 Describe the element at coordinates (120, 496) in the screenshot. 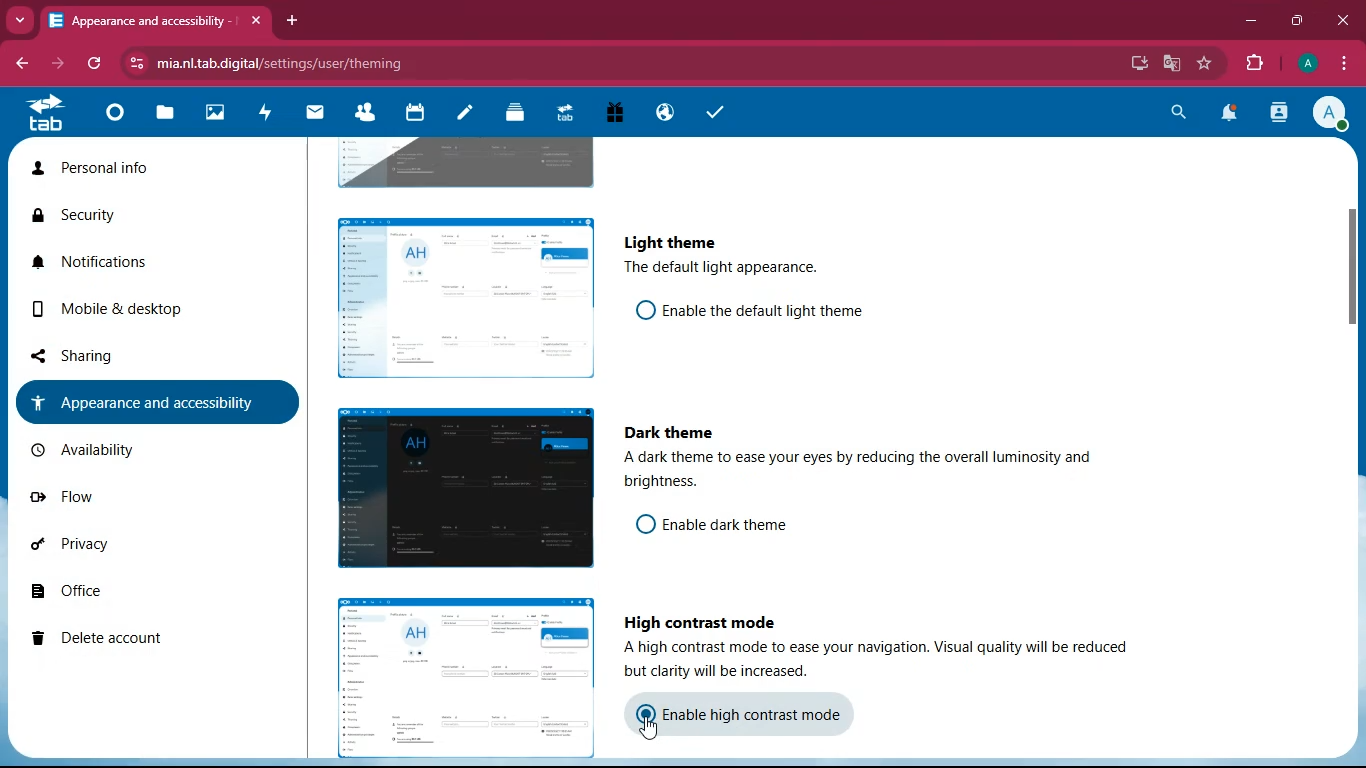

I see `flow` at that location.